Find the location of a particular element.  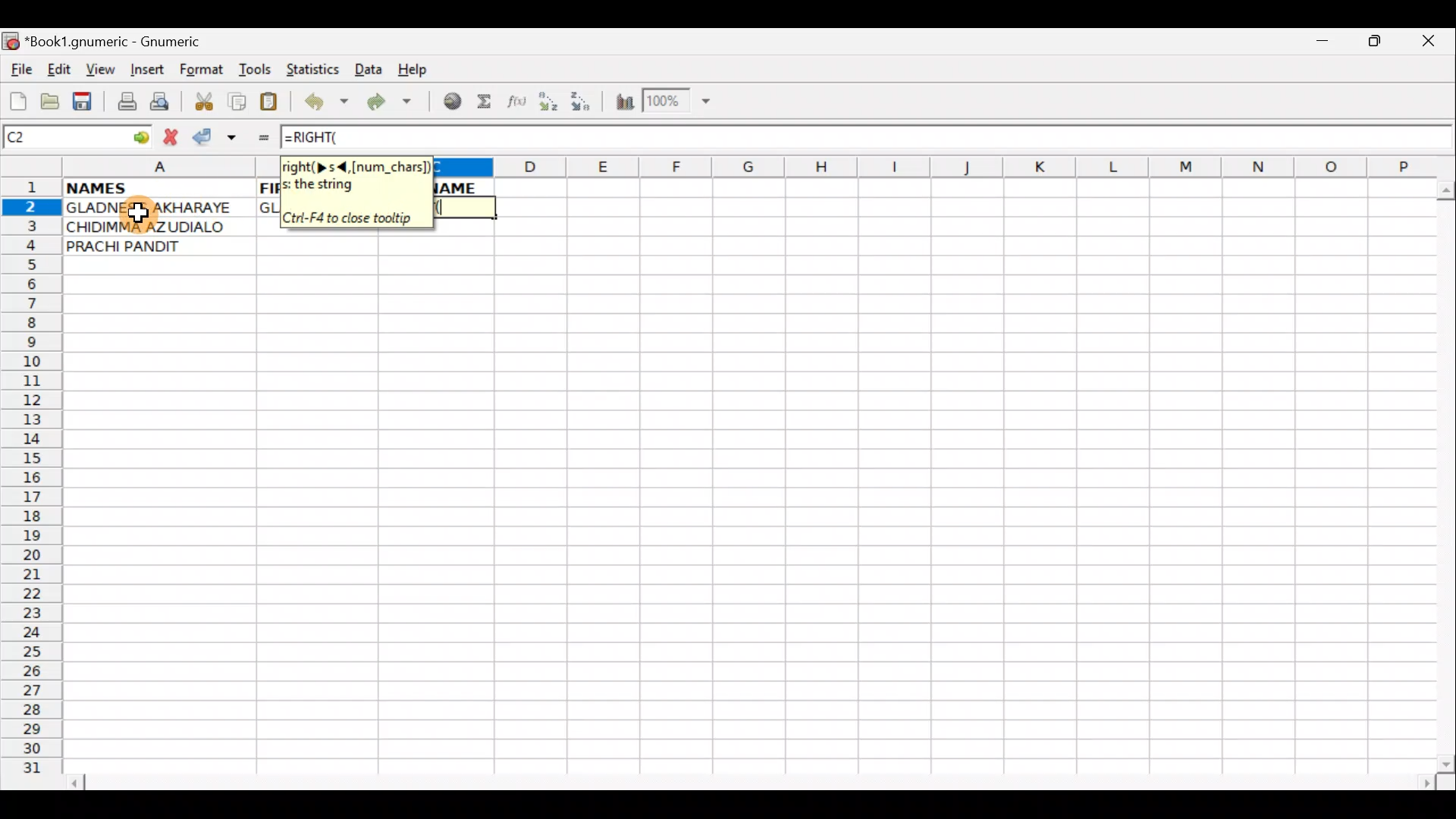

Copy selection is located at coordinates (238, 101).